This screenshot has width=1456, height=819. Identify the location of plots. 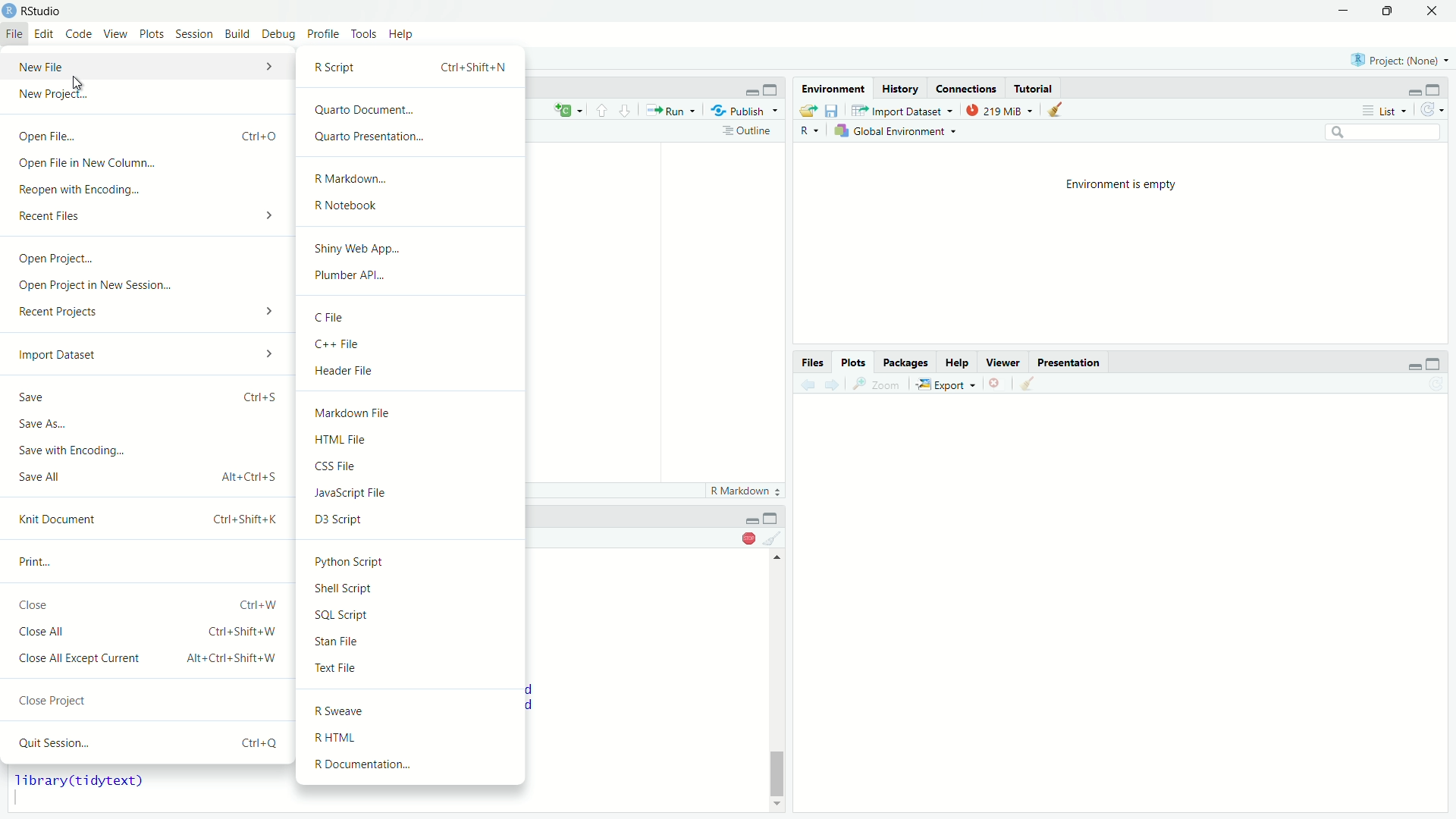
(852, 362).